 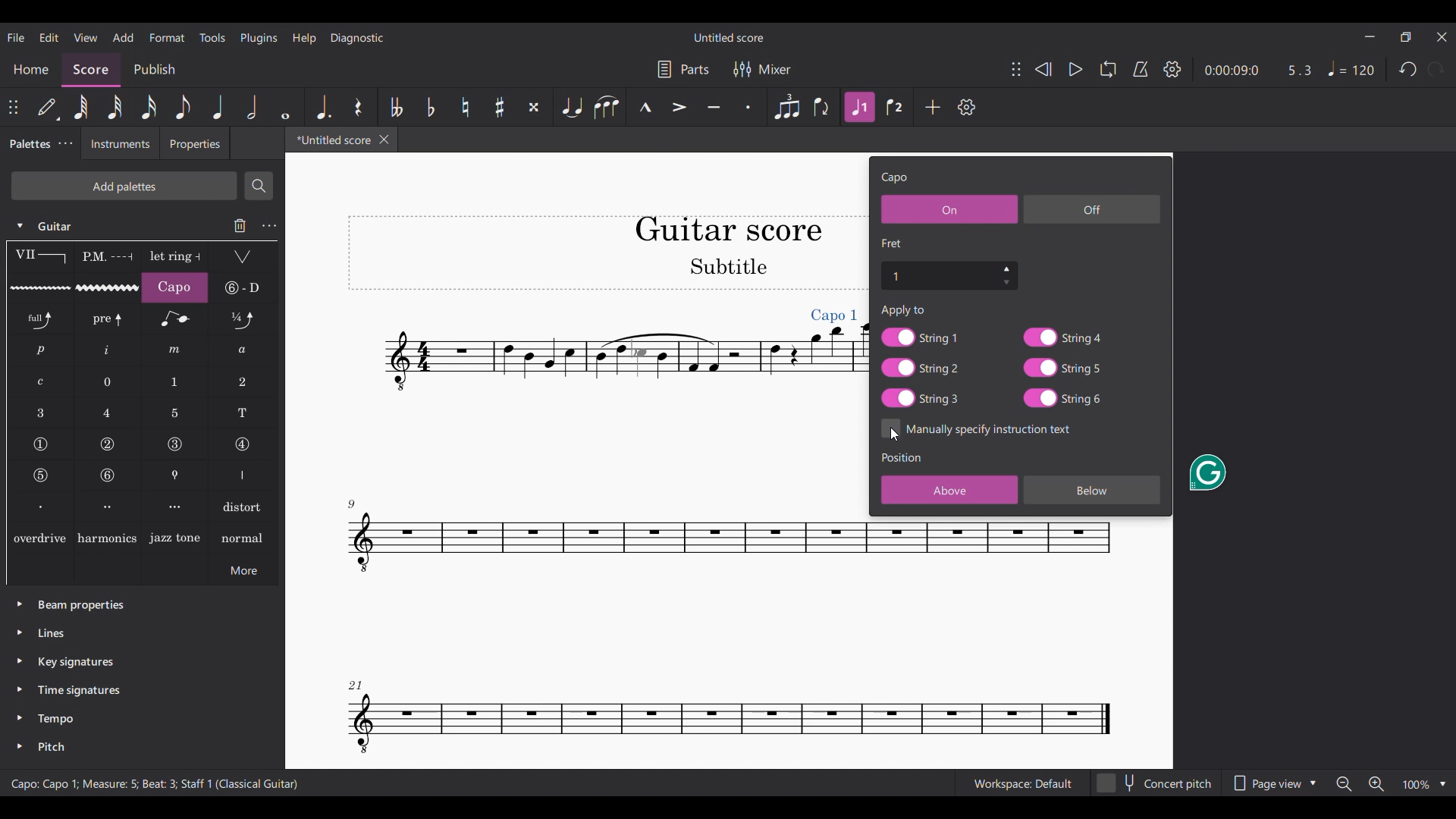 I want to click on Settings, so click(x=1172, y=69).